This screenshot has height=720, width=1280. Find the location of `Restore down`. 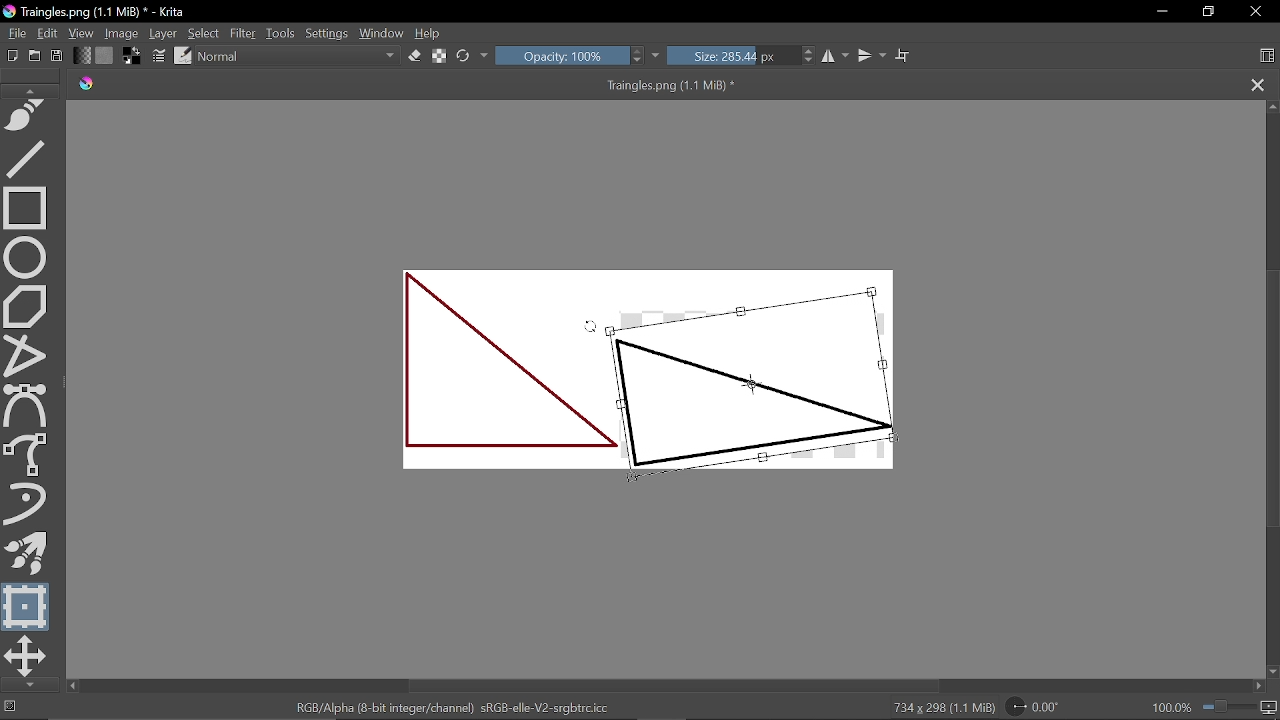

Restore down is located at coordinates (1206, 13).